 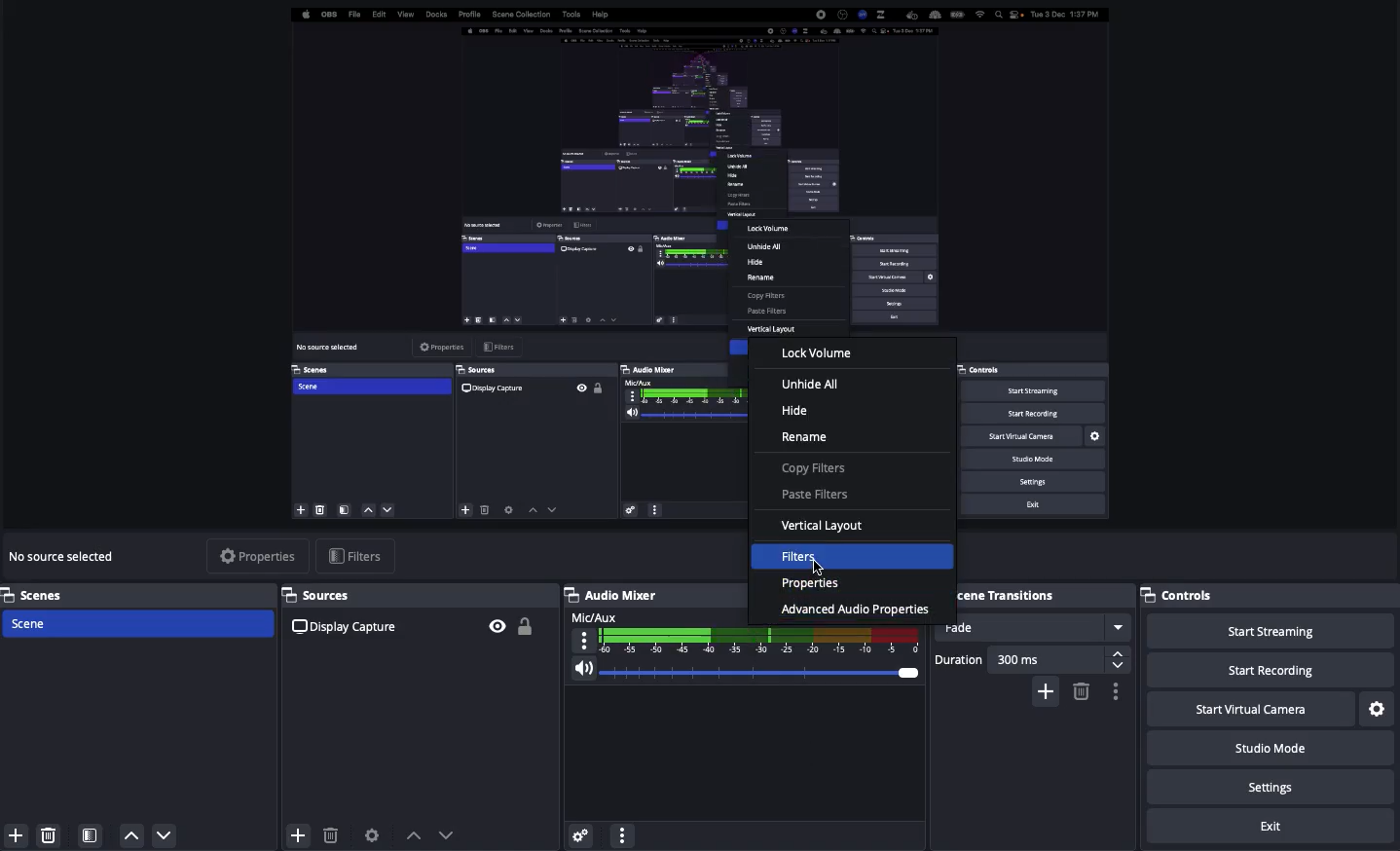 I want to click on Mic/aux, so click(x=749, y=633).